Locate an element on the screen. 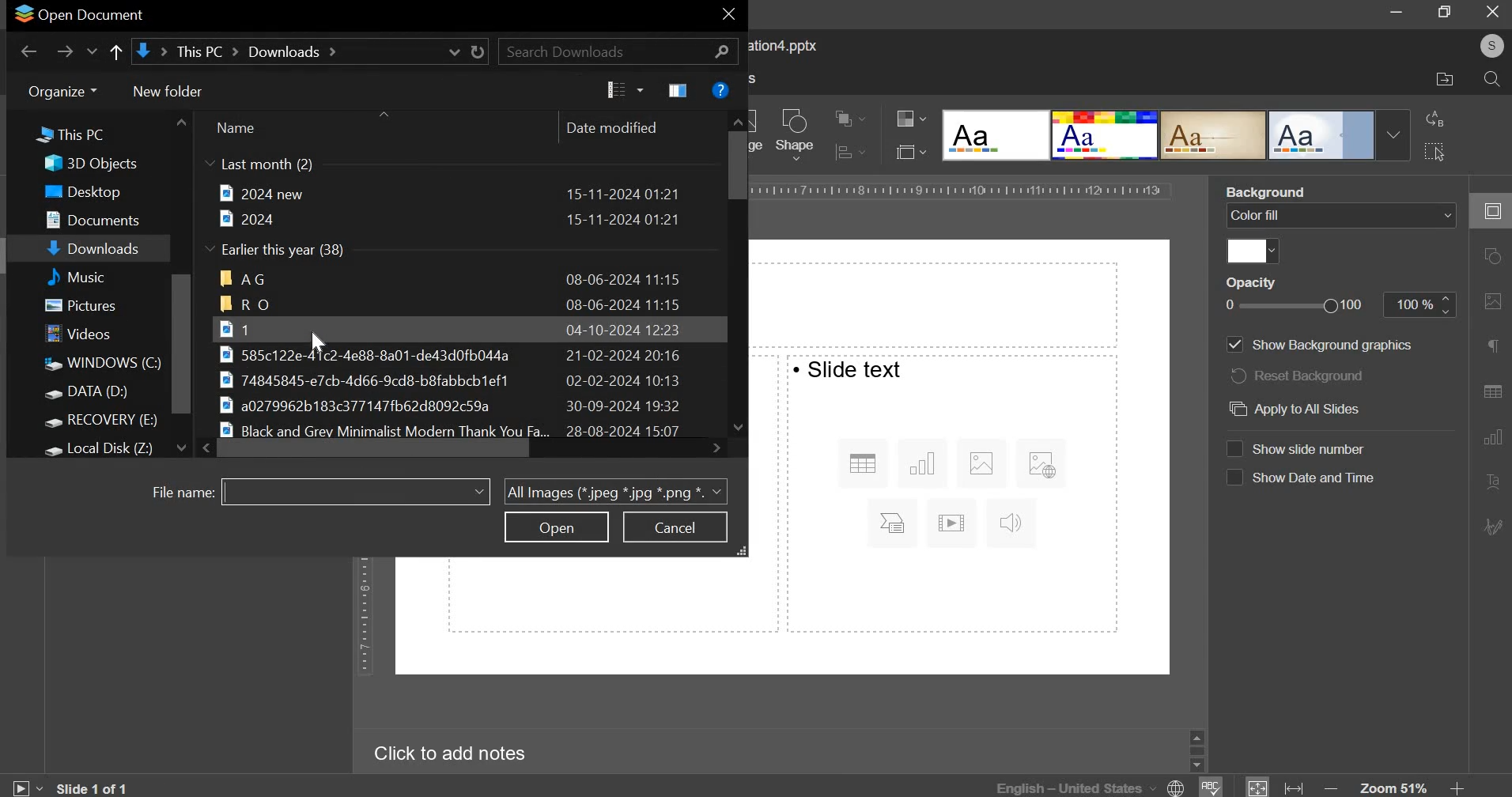 This screenshot has height=797, width=1512. Date modified is located at coordinates (611, 128).